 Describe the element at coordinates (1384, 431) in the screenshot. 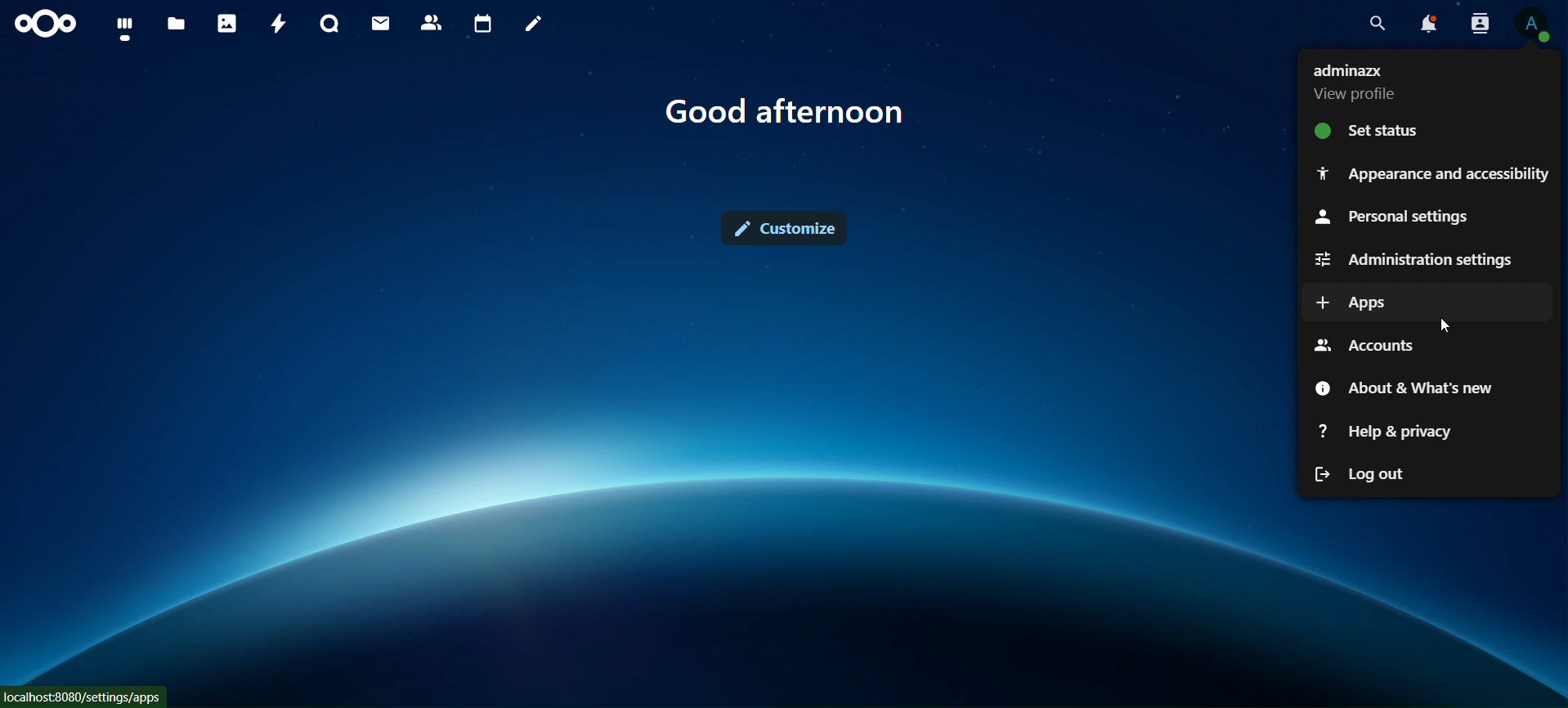

I see `help & privacy` at that location.